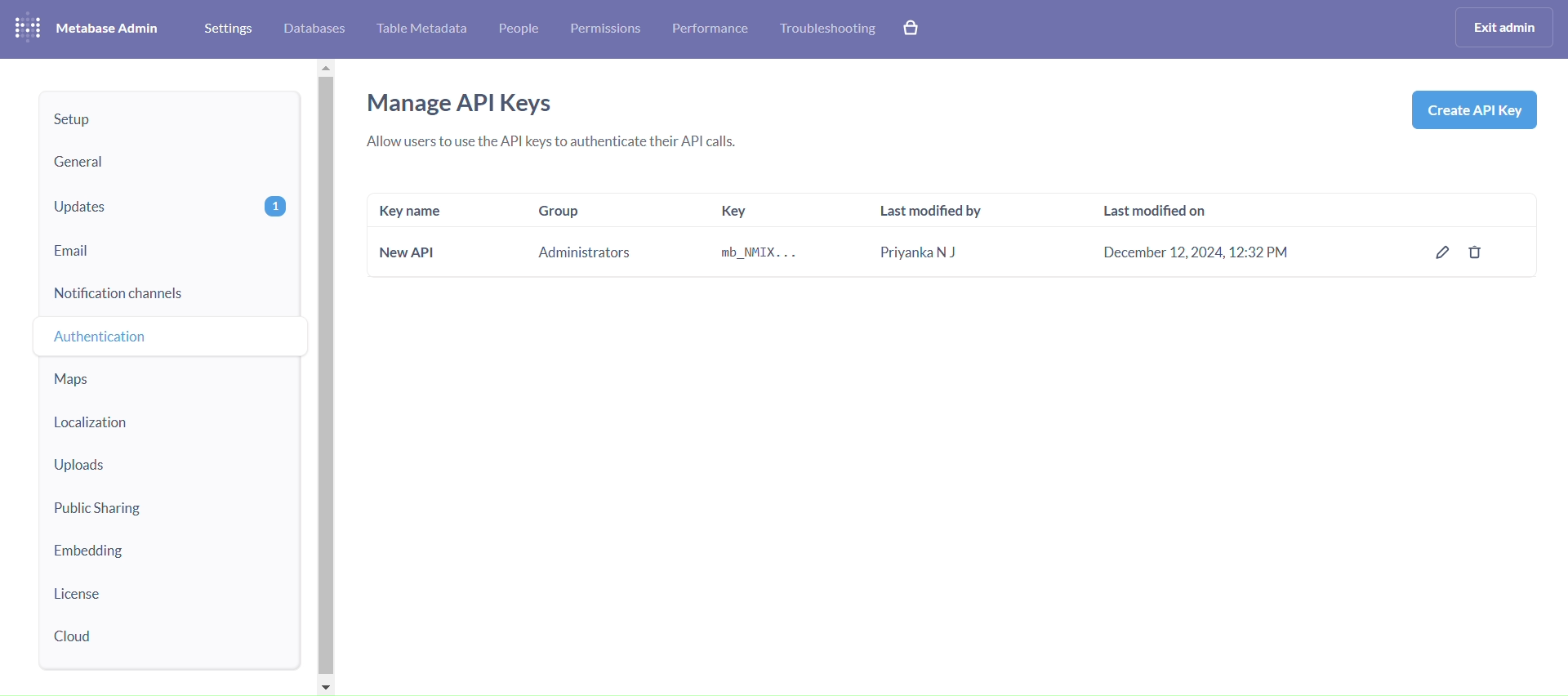  I want to click on last modified on, so click(1210, 234).